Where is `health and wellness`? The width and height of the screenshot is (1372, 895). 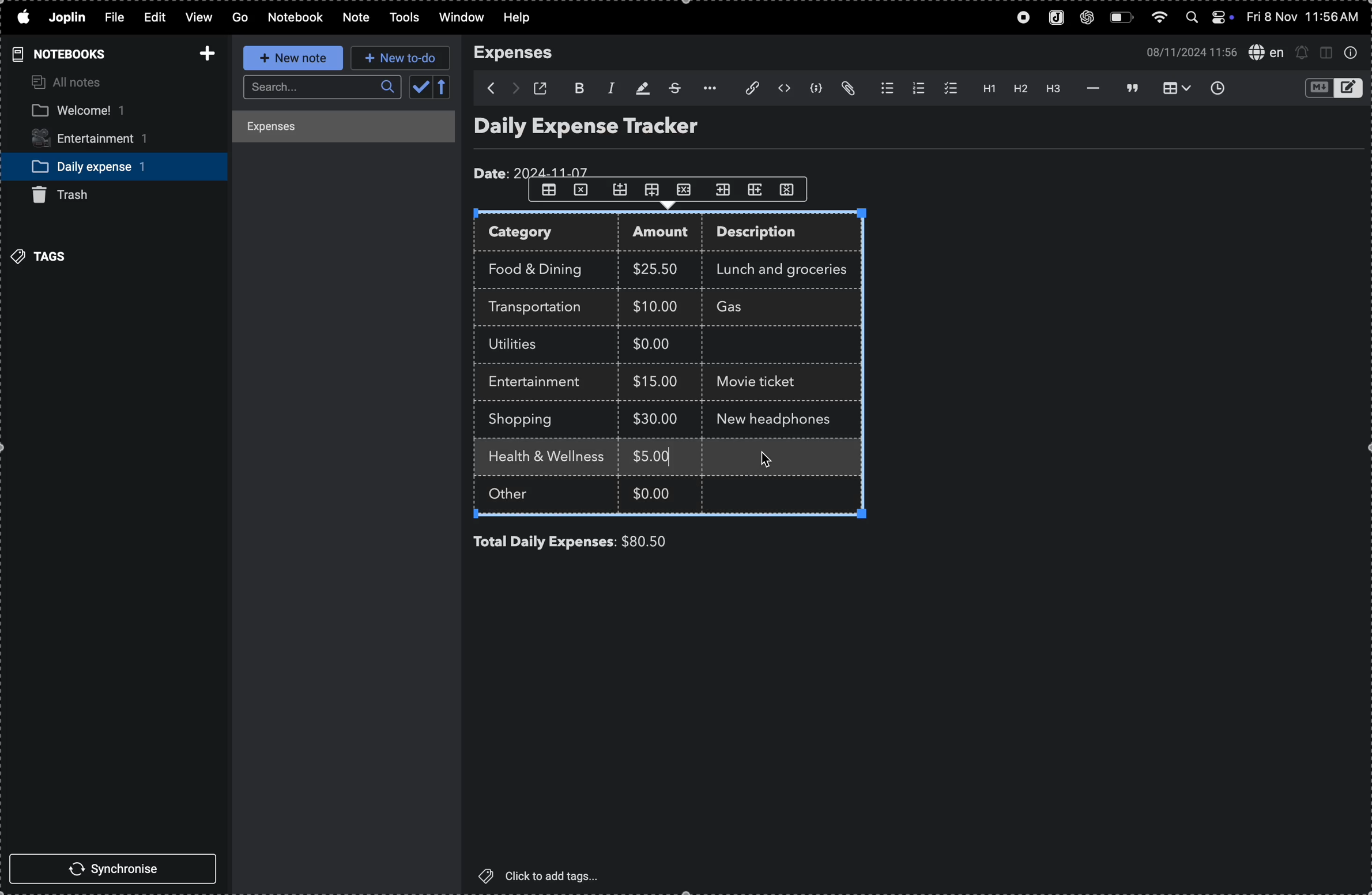
health and wellness is located at coordinates (552, 458).